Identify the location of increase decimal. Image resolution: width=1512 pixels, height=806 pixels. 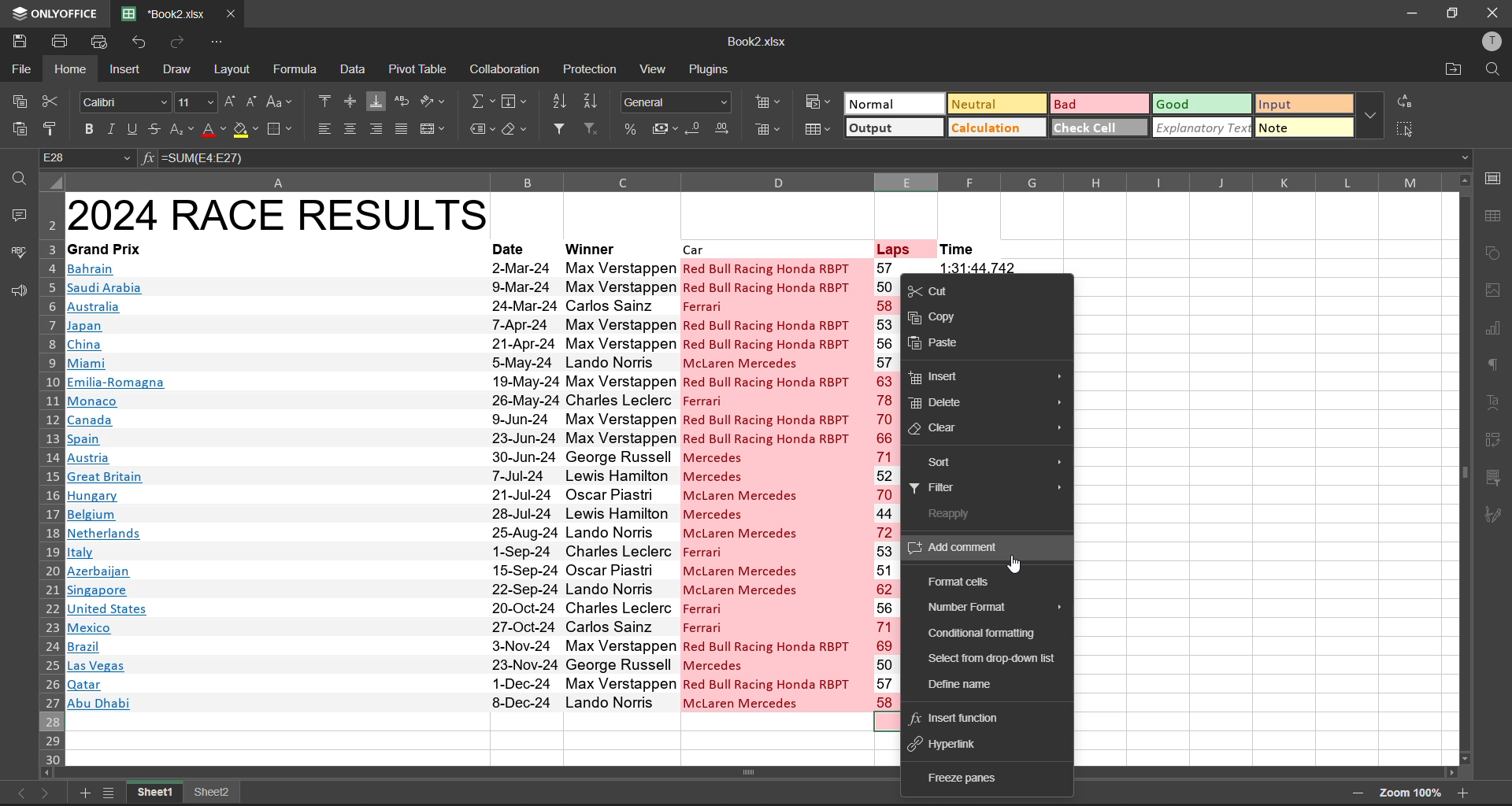
(728, 127).